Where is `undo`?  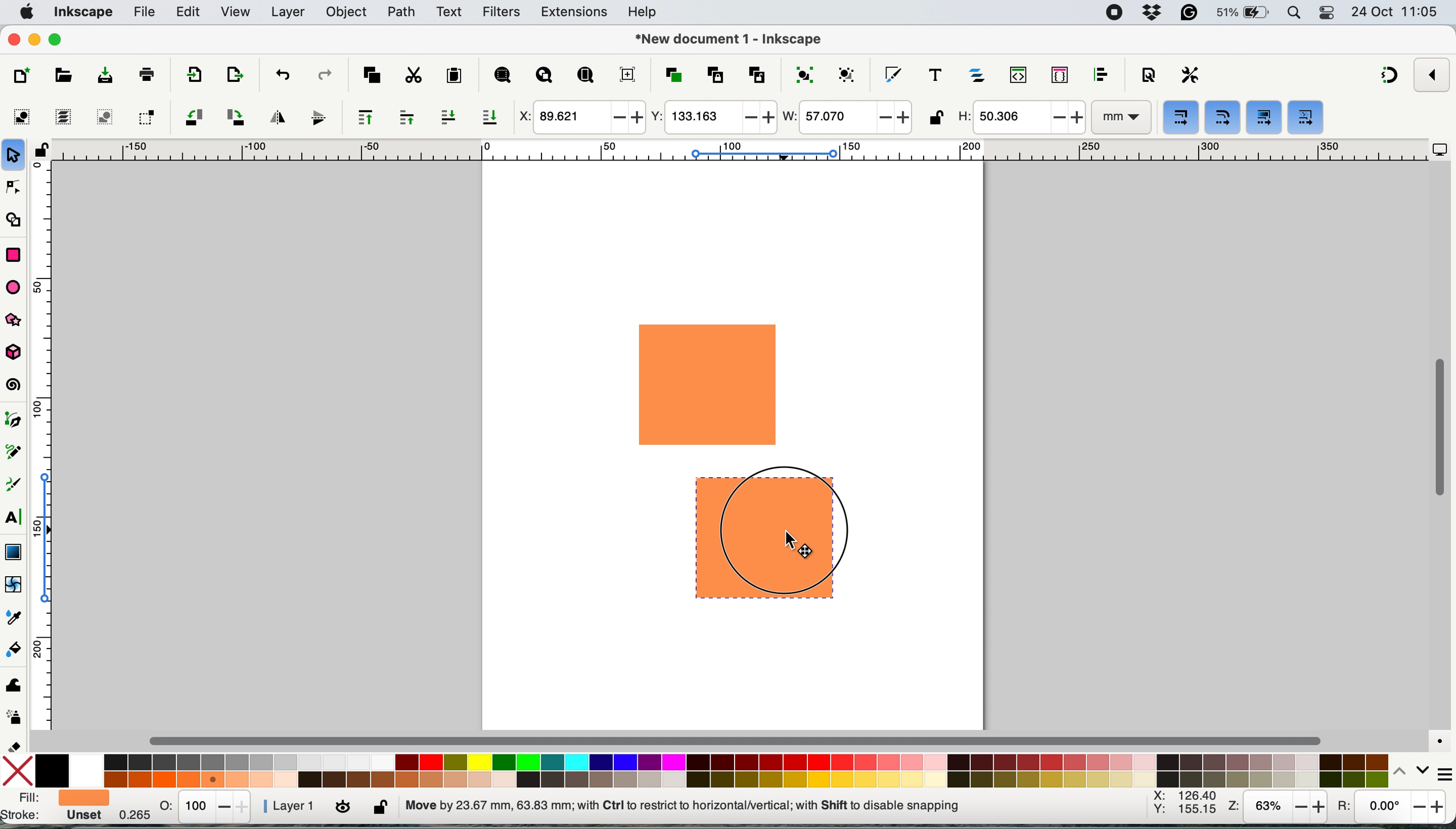
undo is located at coordinates (281, 74).